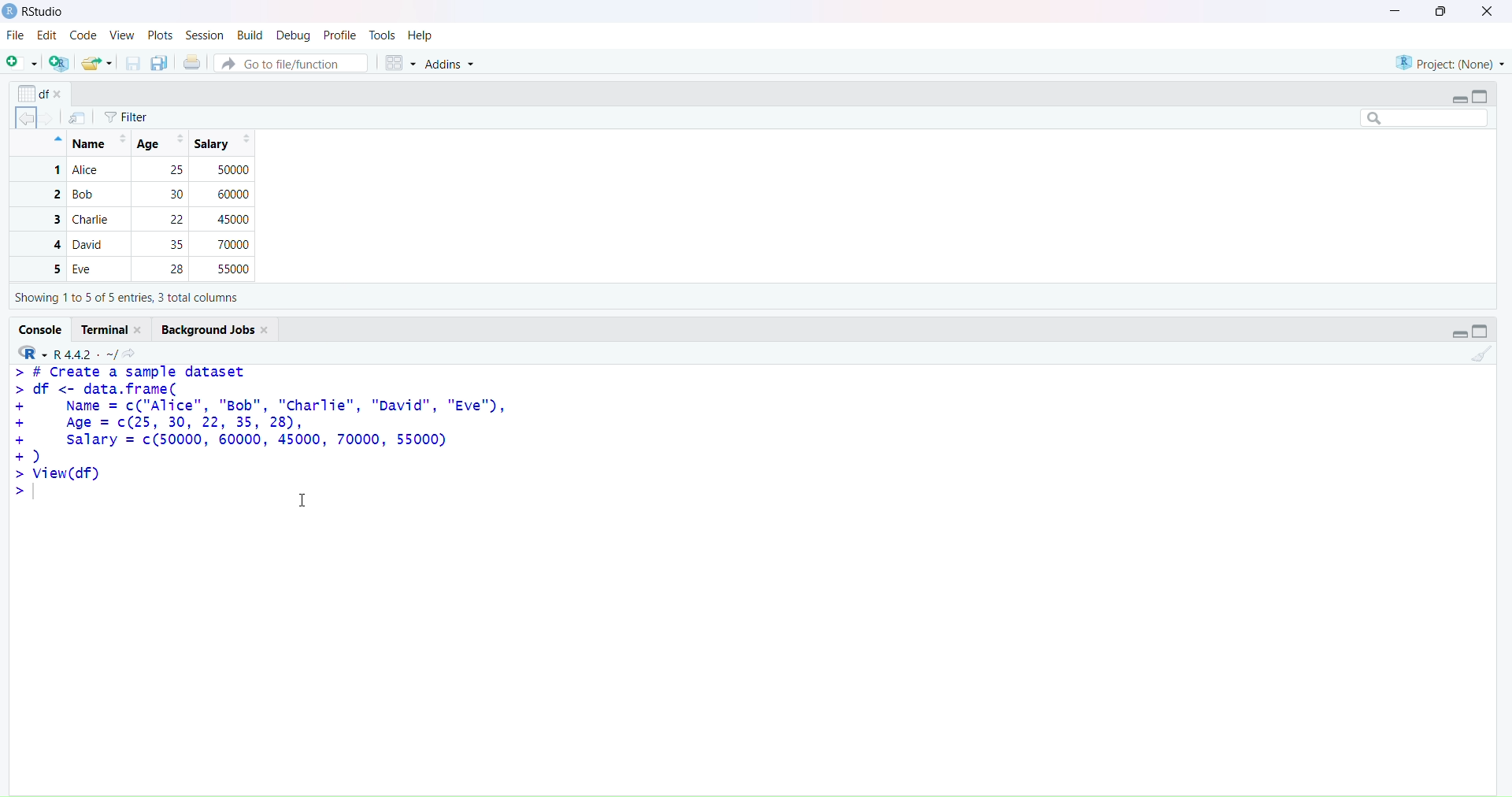 The image size is (1512, 797). What do you see at coordinates (50, 35) in the screenshot?
I see `edit` at bounding box center [50, 35].